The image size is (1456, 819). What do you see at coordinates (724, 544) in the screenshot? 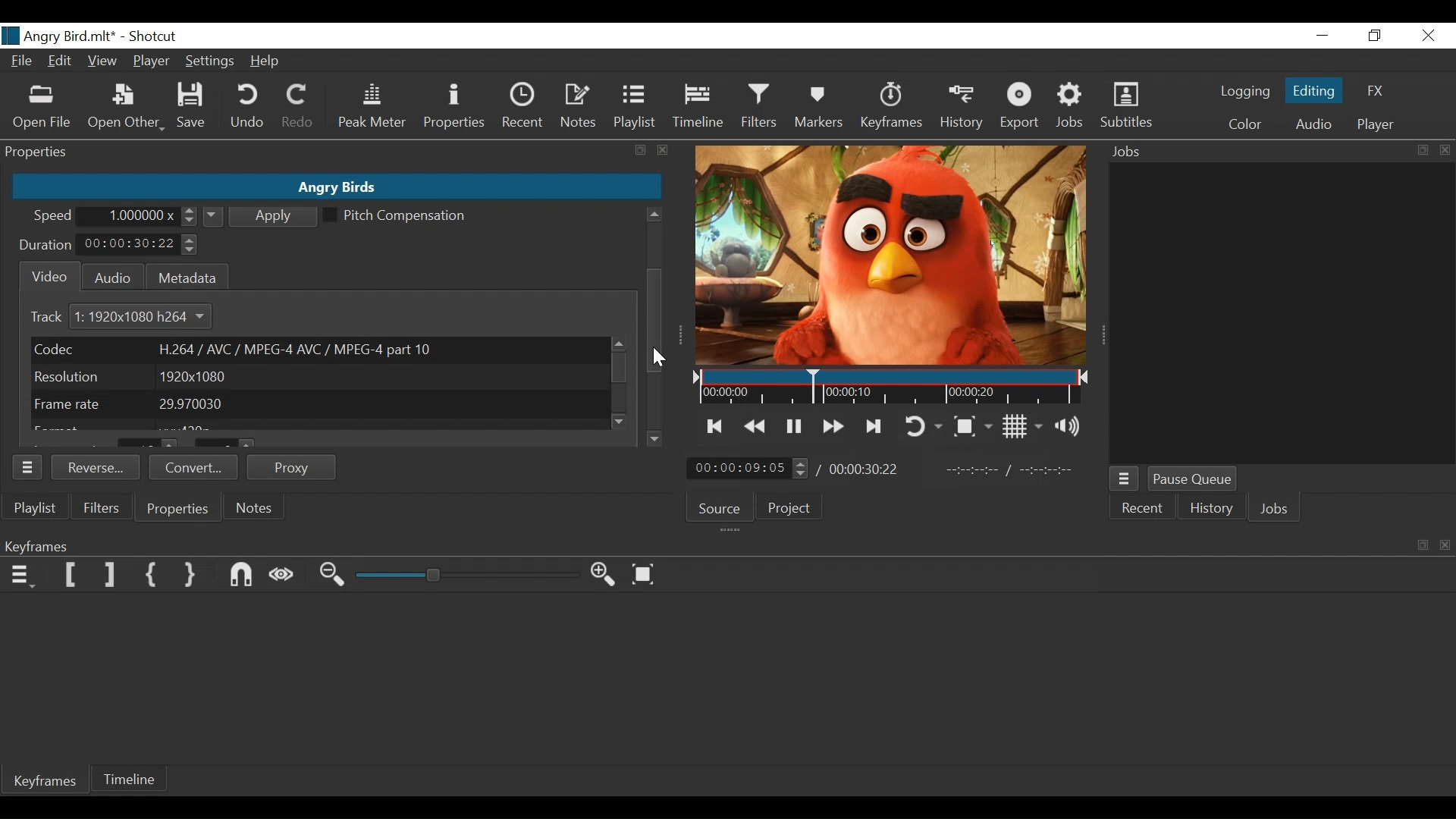
I see `Keyframe Panel` at bounding box center [724, 544].